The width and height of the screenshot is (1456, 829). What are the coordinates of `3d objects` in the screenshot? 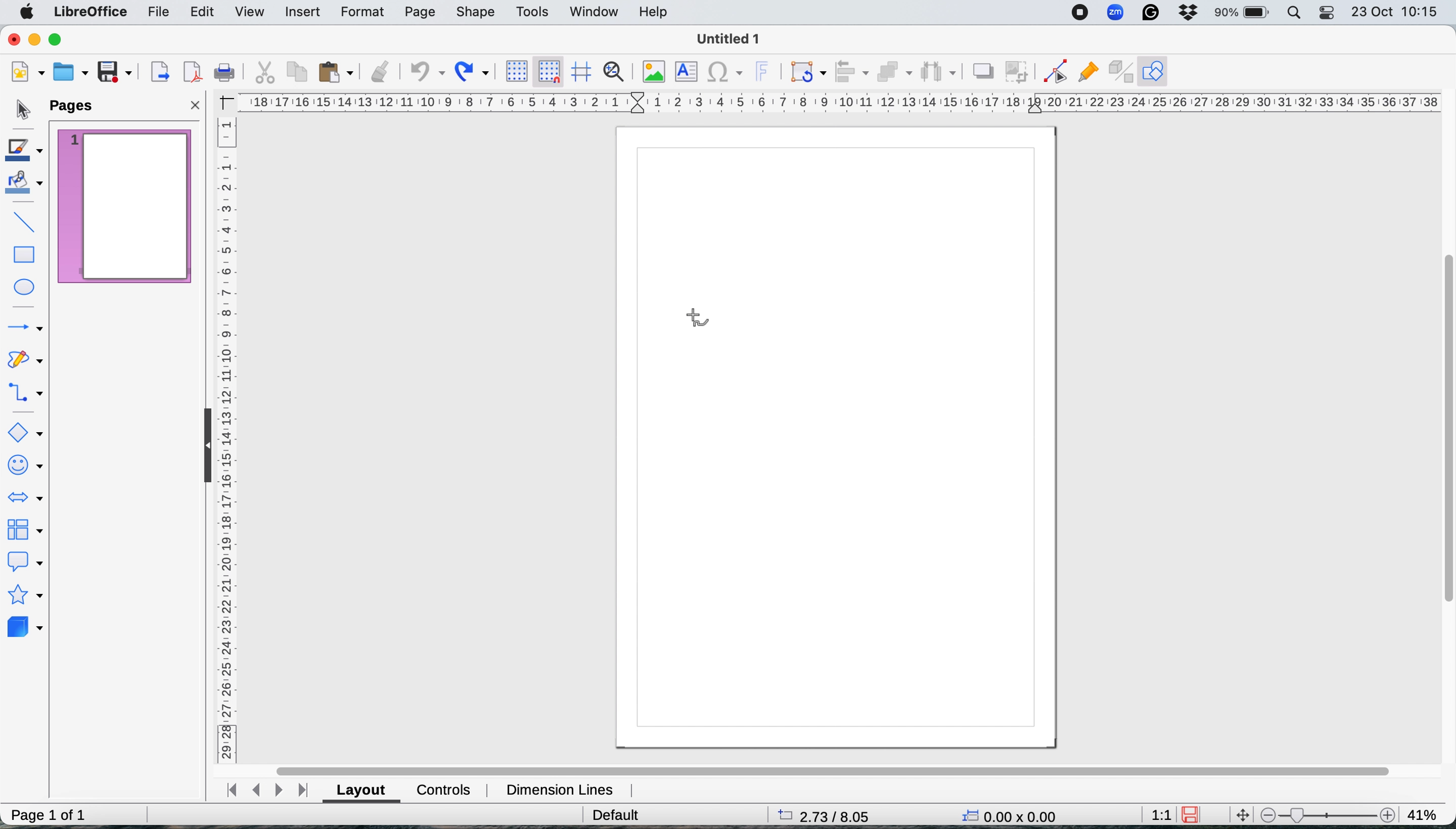 It's located at (26, 630).